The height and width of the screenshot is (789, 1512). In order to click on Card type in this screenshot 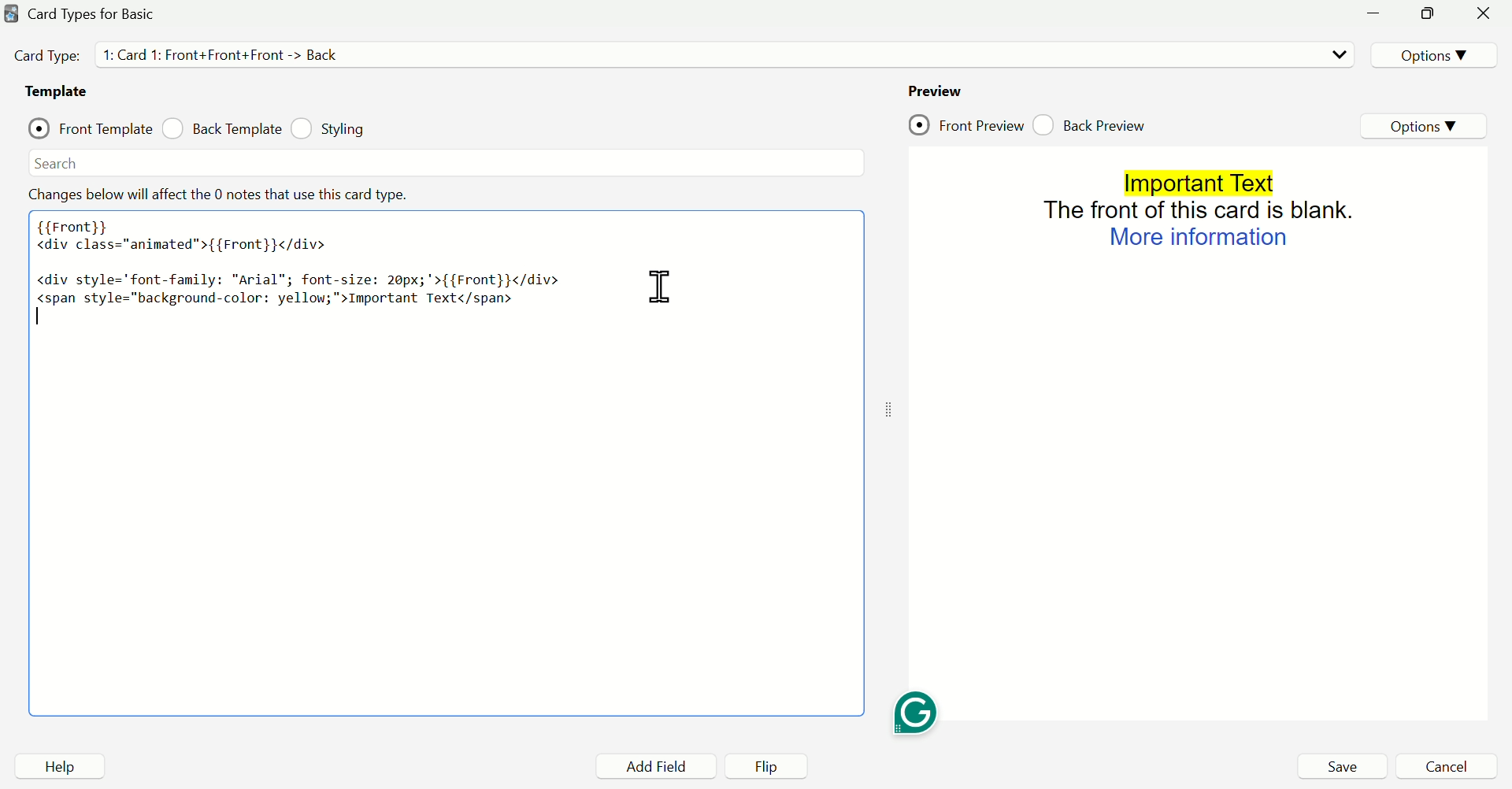, I will do `click(722, 54)`.